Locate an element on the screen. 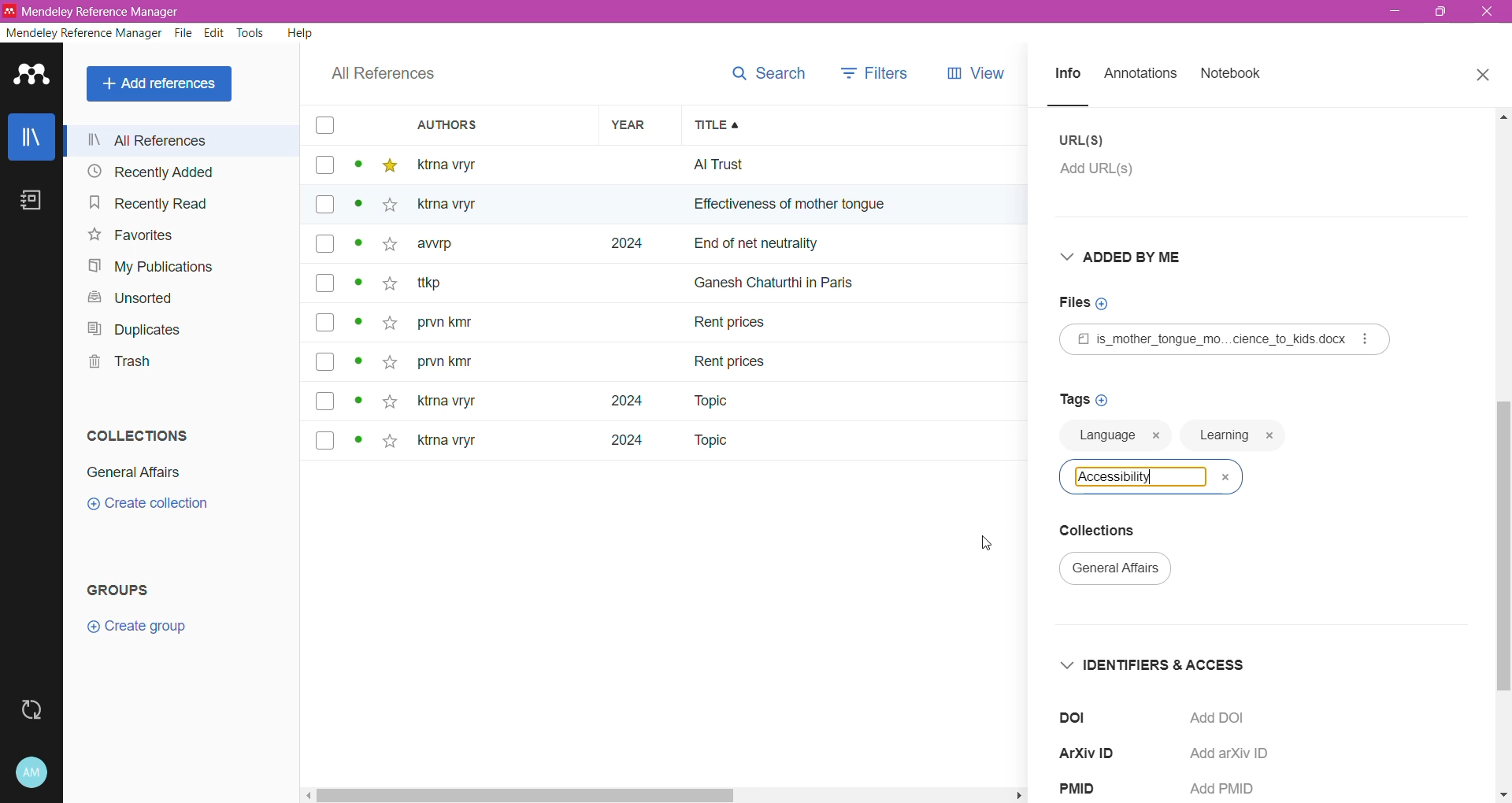 The width and height of the screenshot is (1512, 803). Reference File  is located at coordinates (1225, 339).